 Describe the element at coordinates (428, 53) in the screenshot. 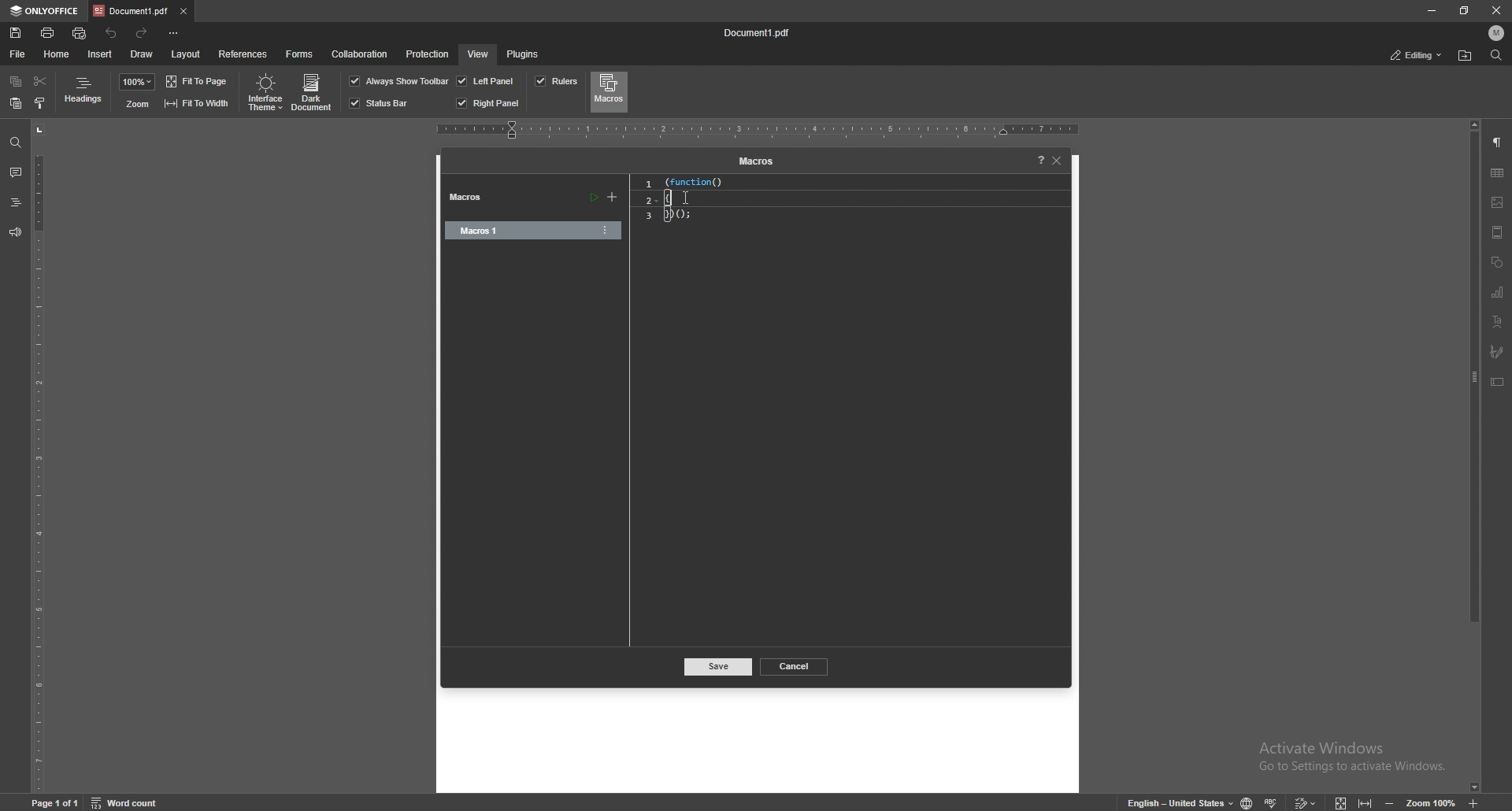

I see `protection` at that location.